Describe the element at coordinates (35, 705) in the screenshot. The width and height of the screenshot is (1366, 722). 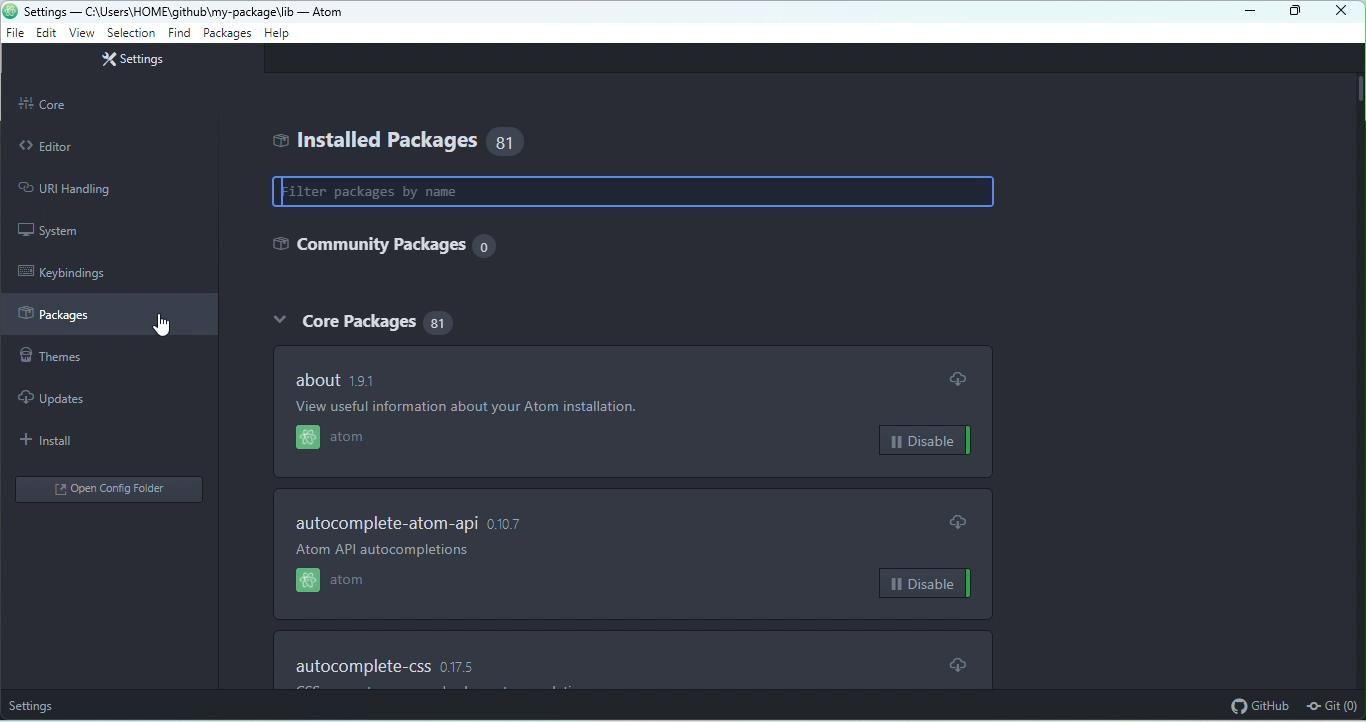
I see `settings` at that location.